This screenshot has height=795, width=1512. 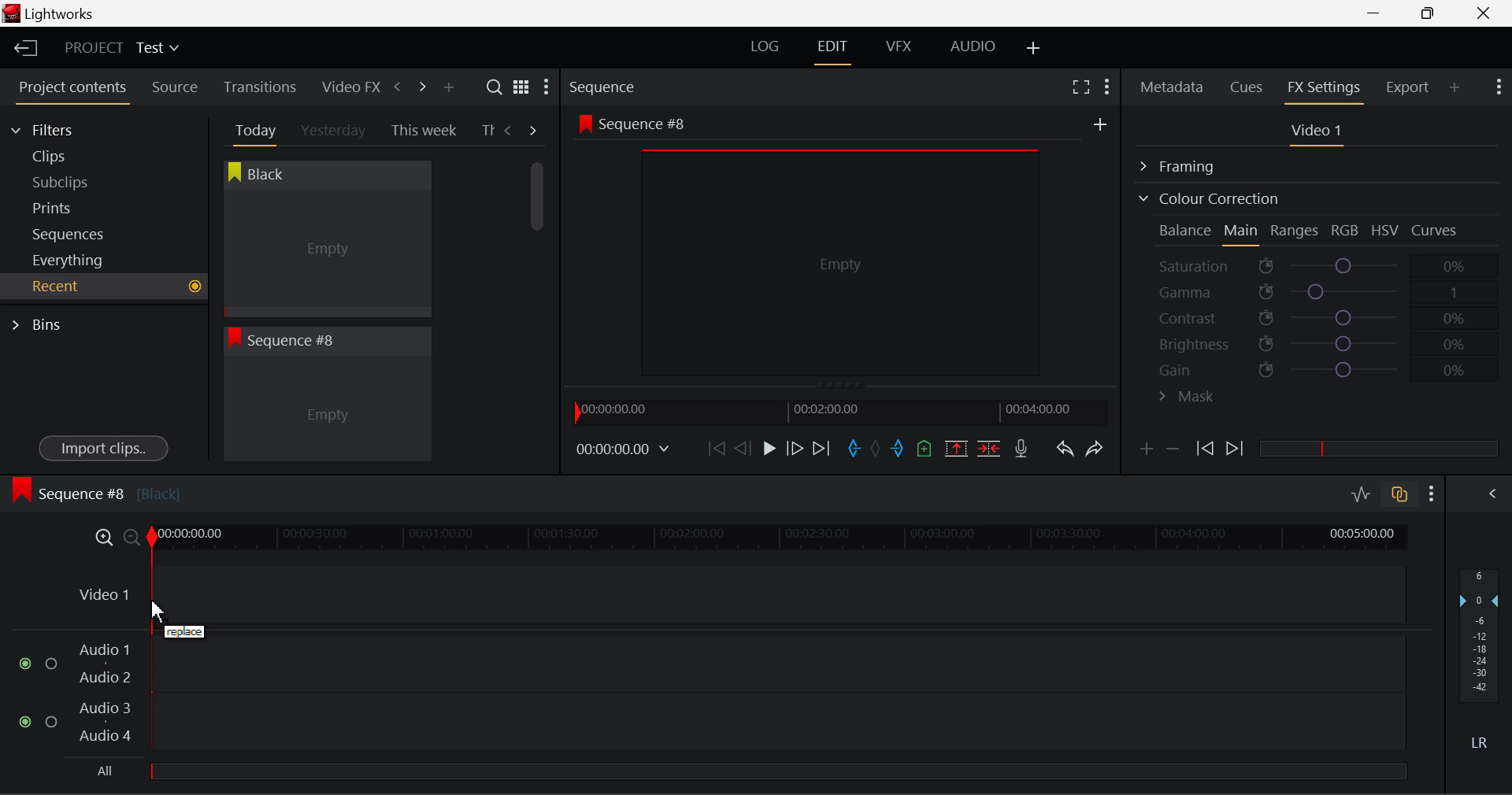 I want to click on EDIT Layout, so click(x=835, y=50).